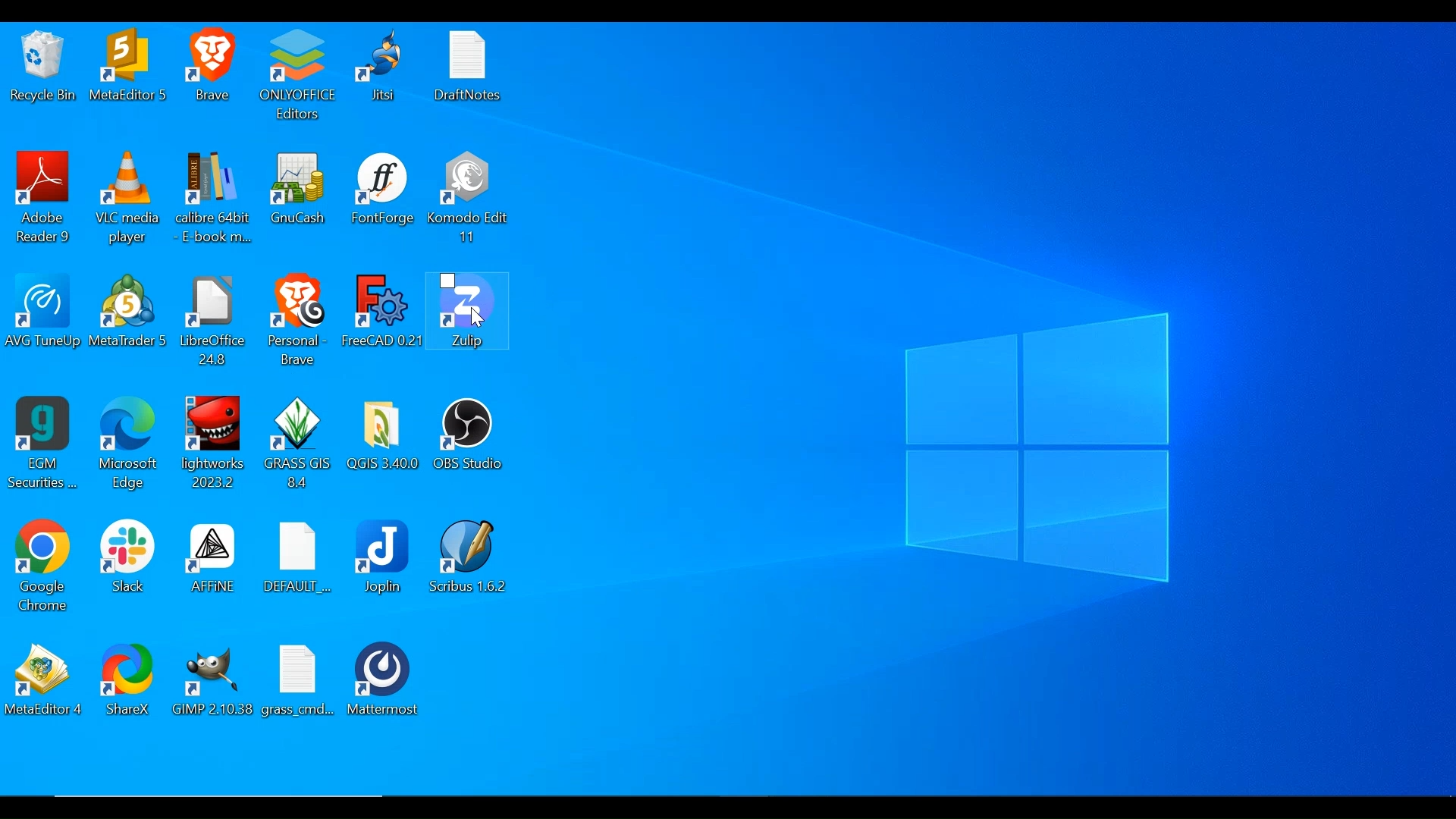 This screenshot has height=819, width=1456. I want to click on OBS Studio Desktop icon, so click(476, 435).